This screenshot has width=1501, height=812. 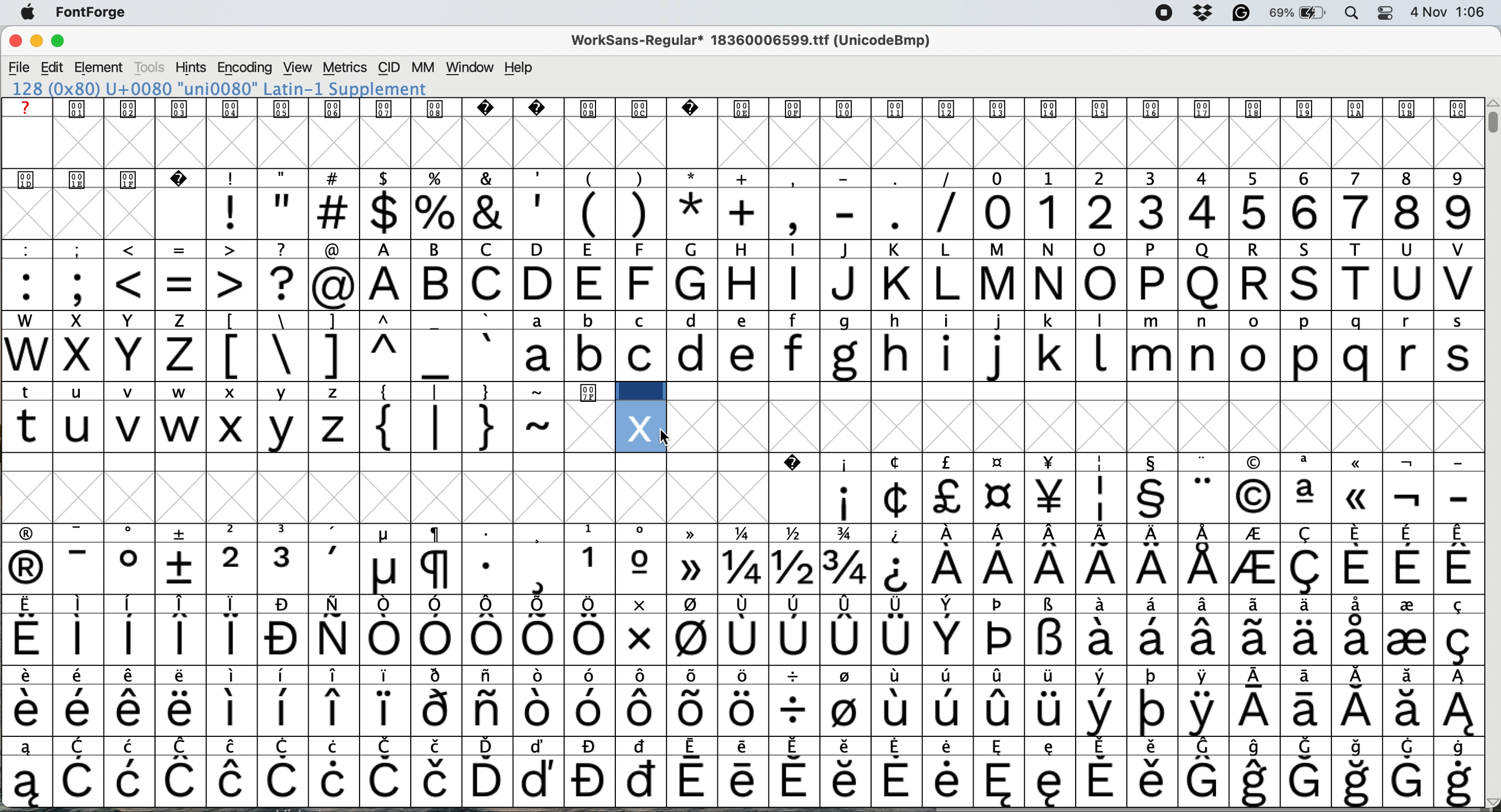 I want to click on glyph grid, so click(x=1078, y=428).